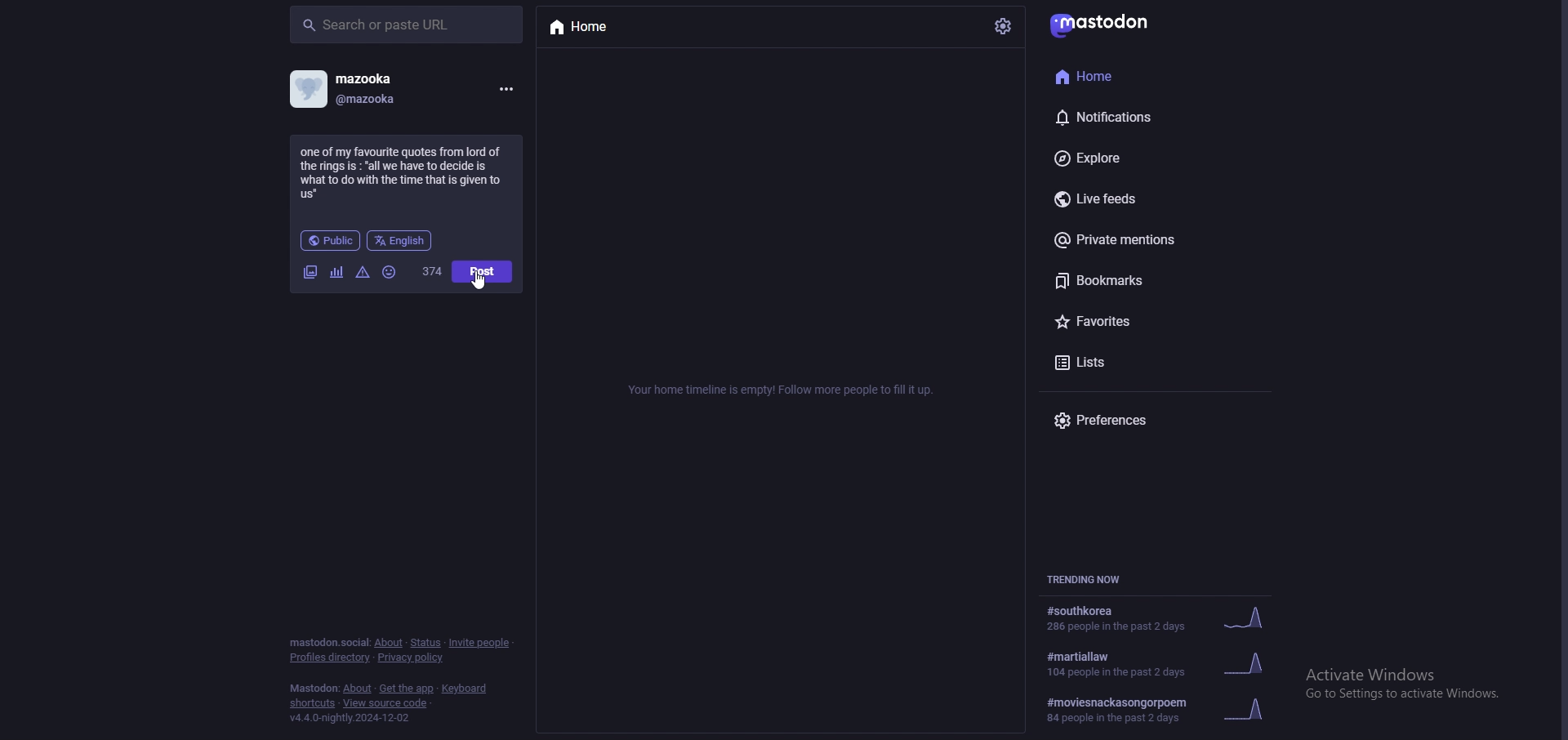 The height and width of the screenshot is (740, 1568). I want to click on settings, so click(1004, 25).